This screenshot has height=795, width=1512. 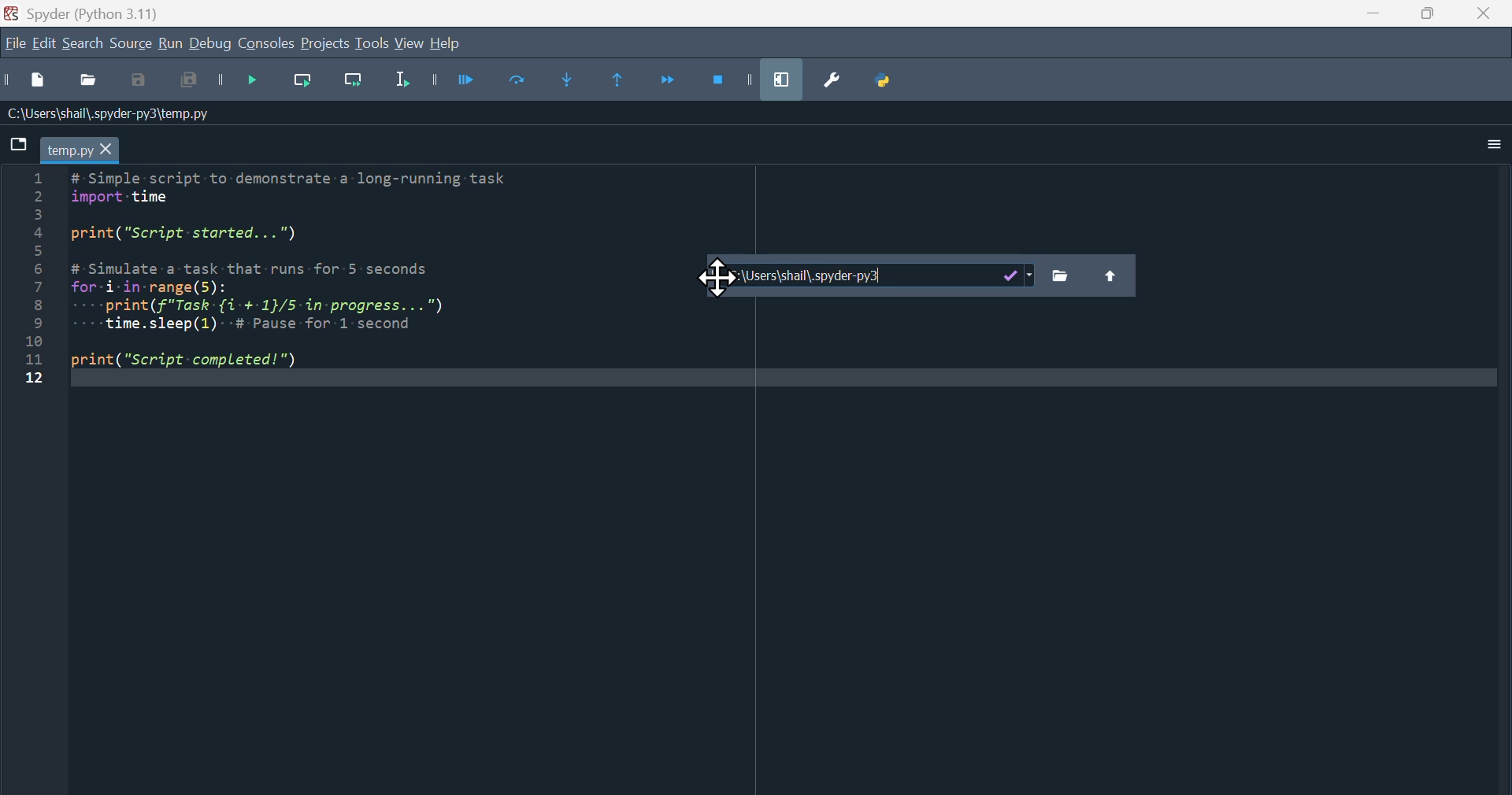 What do you see at coordinates (1483, 148) in the screenshot?
I see `More options` at bounding box center [1483, 148].